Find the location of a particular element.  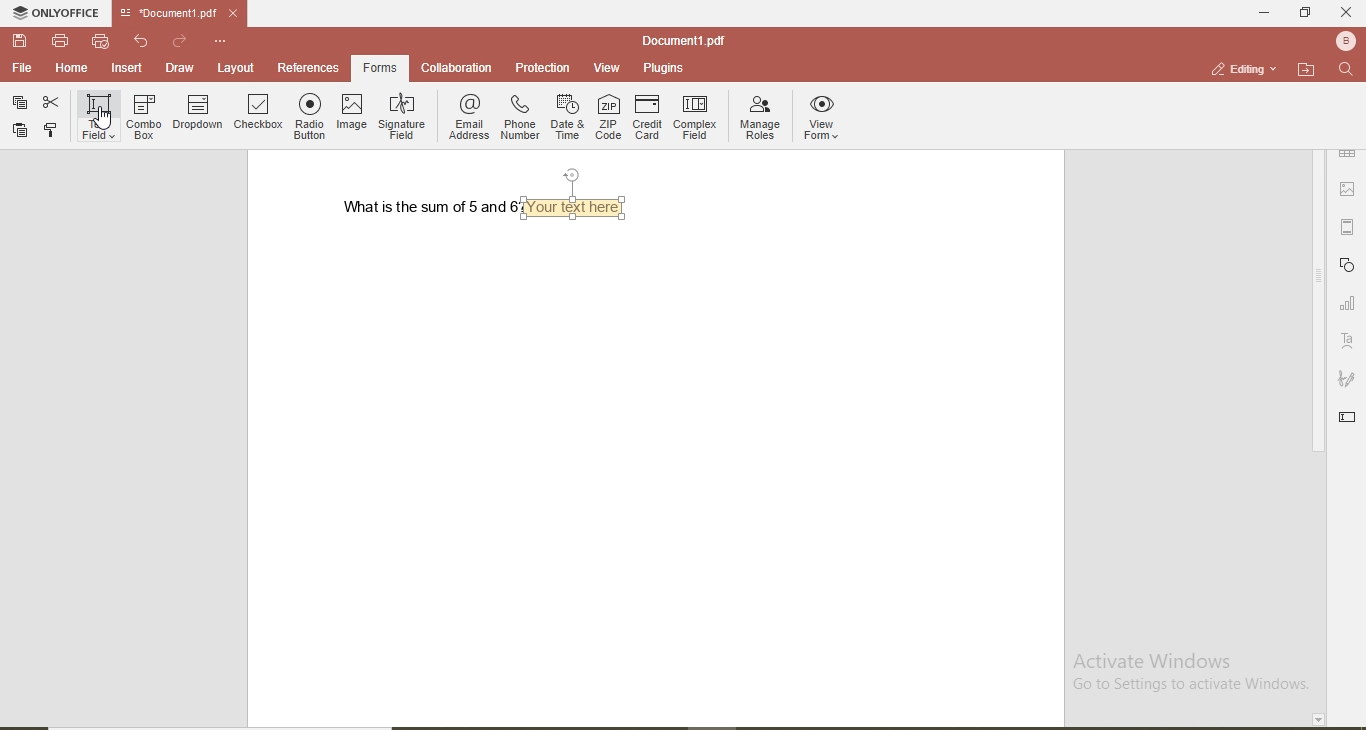

quick print is located at coordinates (100, 42).